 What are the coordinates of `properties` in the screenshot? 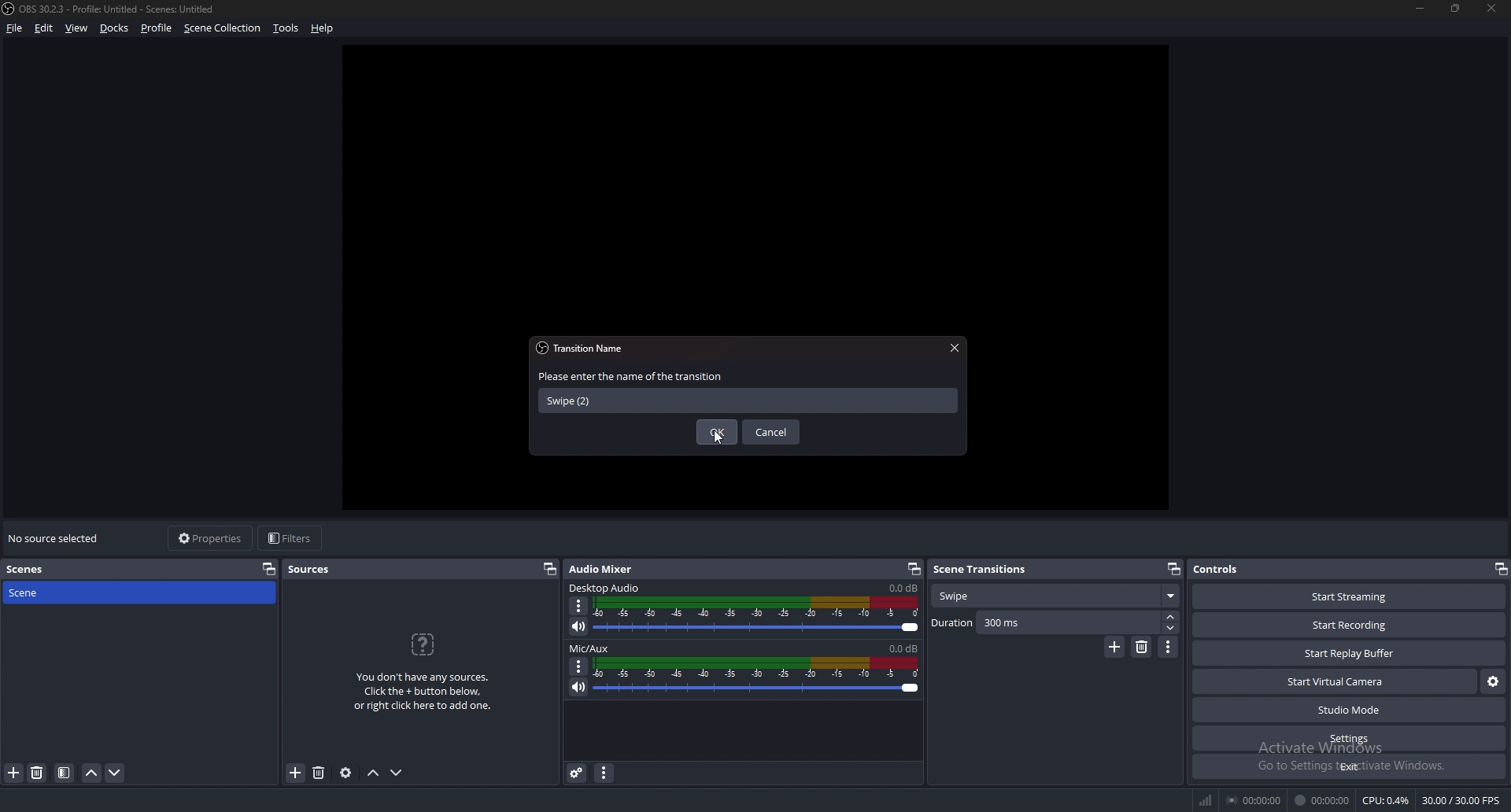 It's located at (212, 539).